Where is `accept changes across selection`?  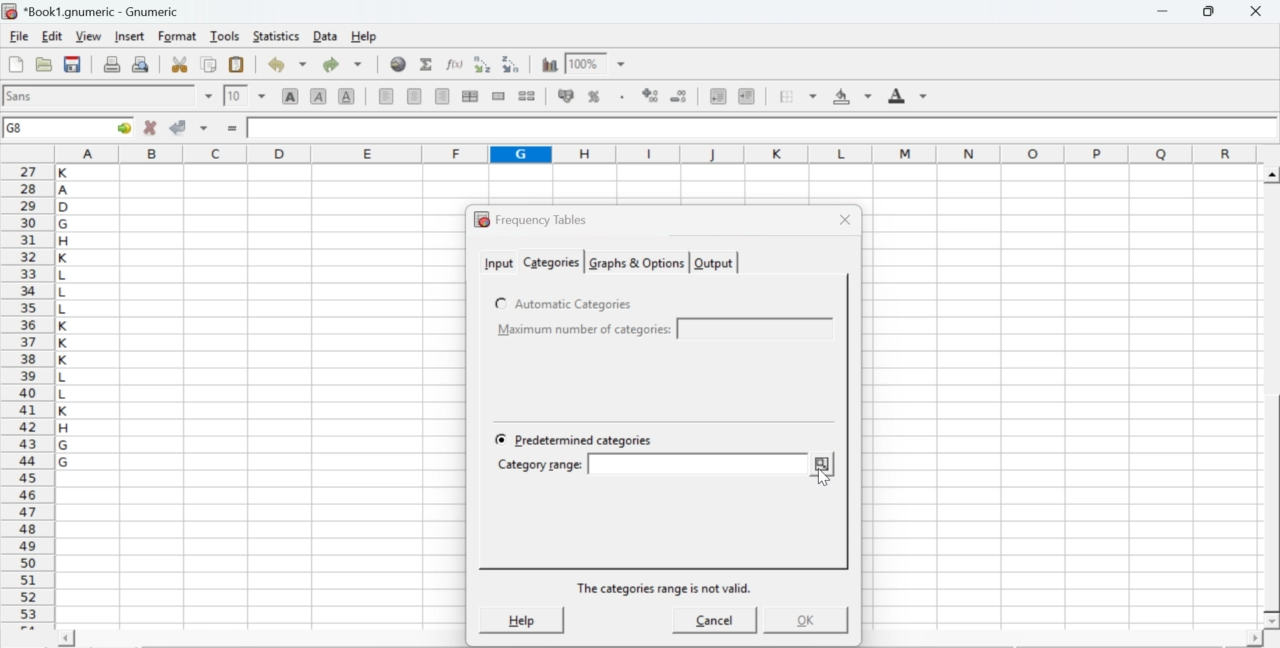 accept changes across selection is located at coordinates (203, 127).